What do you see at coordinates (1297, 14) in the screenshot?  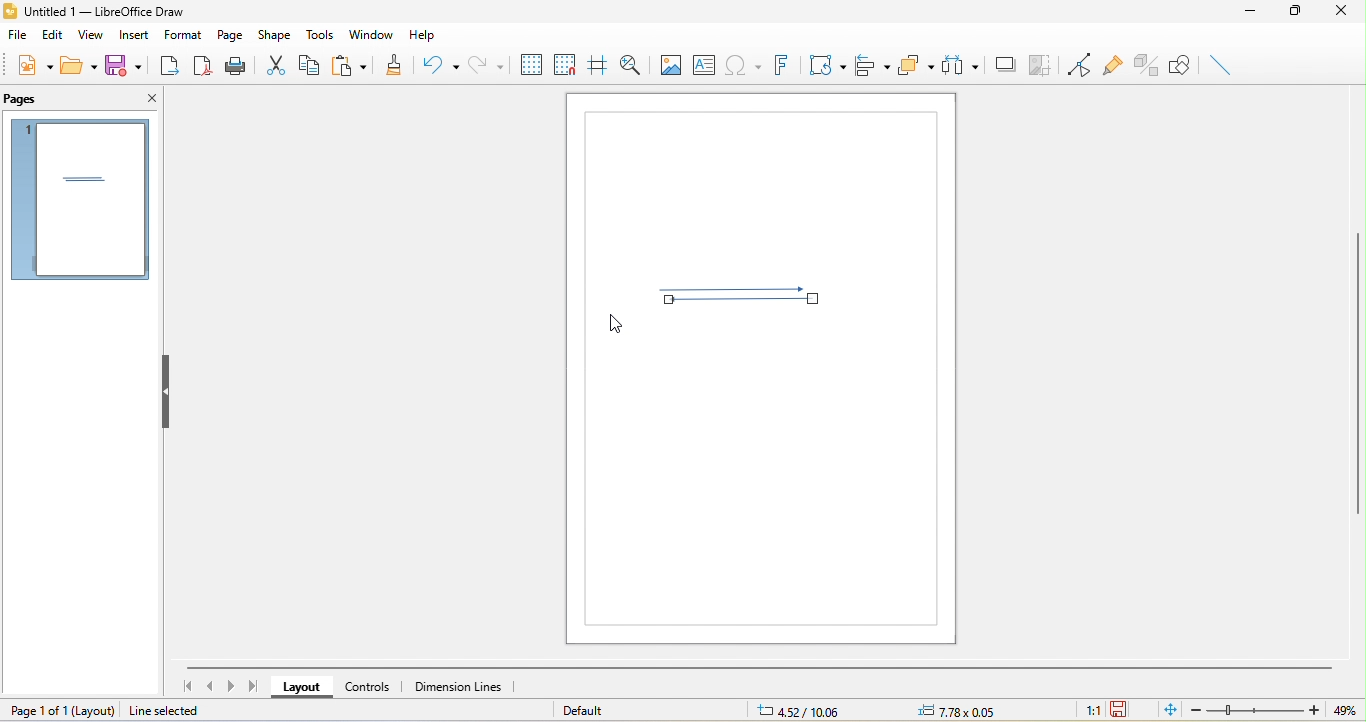 I see `maximize` at bounding box center [1297, 14].